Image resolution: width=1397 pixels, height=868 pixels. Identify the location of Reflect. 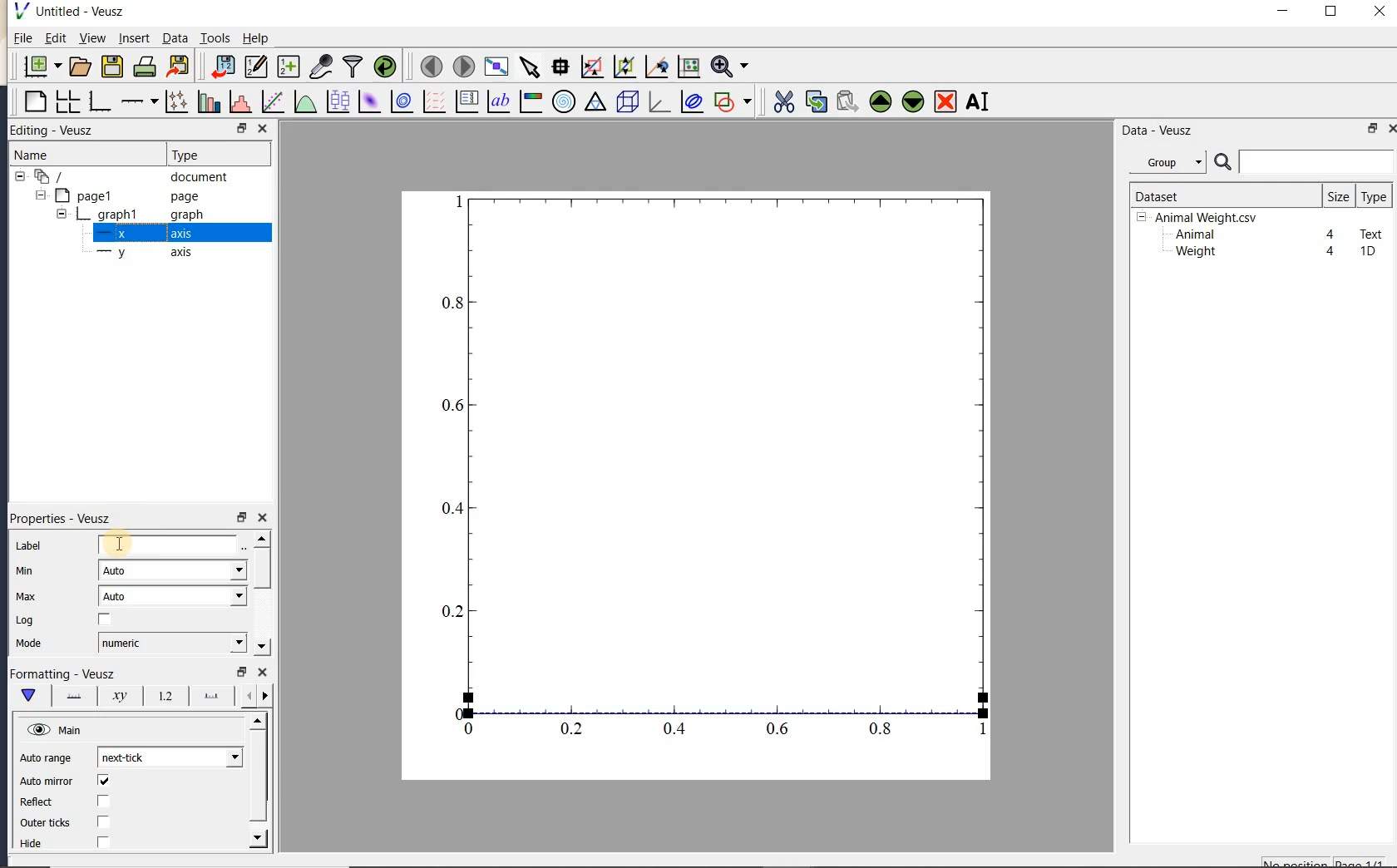
(44, 802).